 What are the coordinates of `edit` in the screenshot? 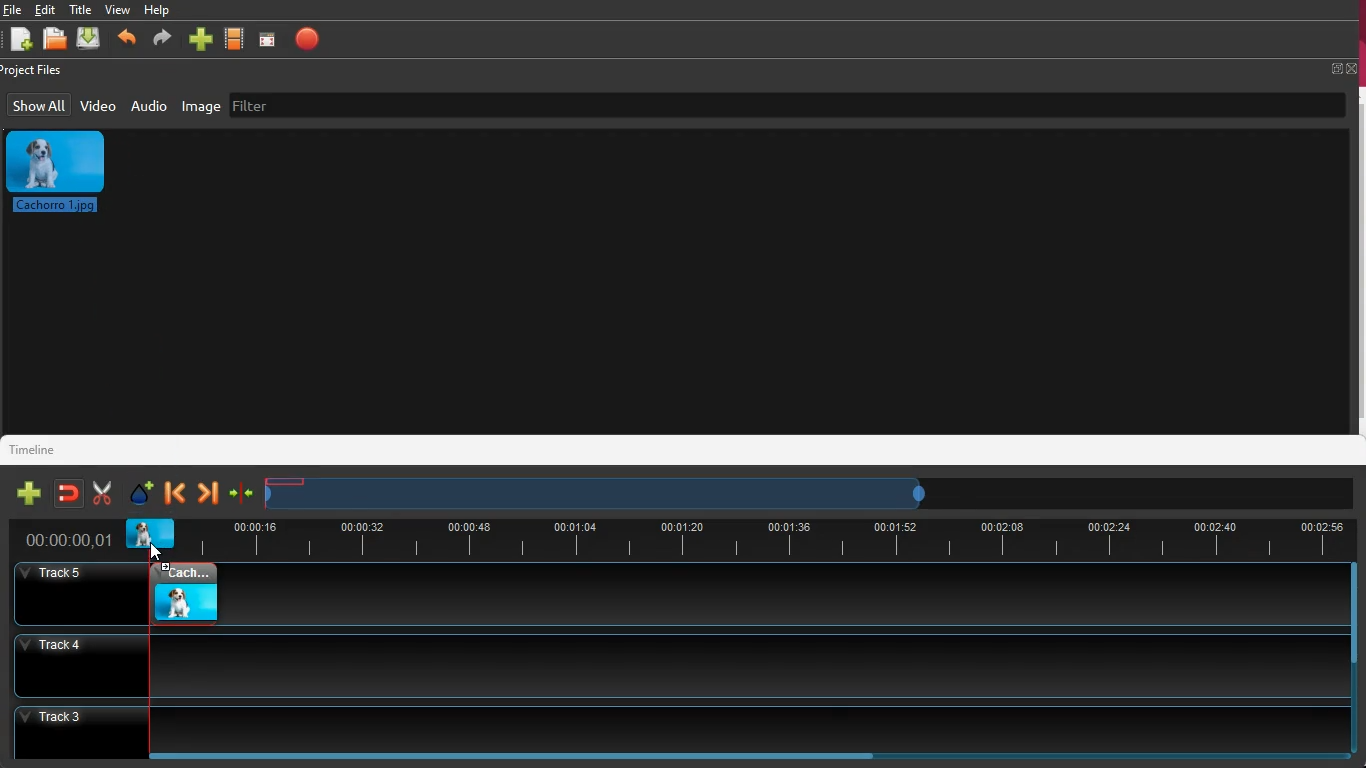 It's located at (45, 10).